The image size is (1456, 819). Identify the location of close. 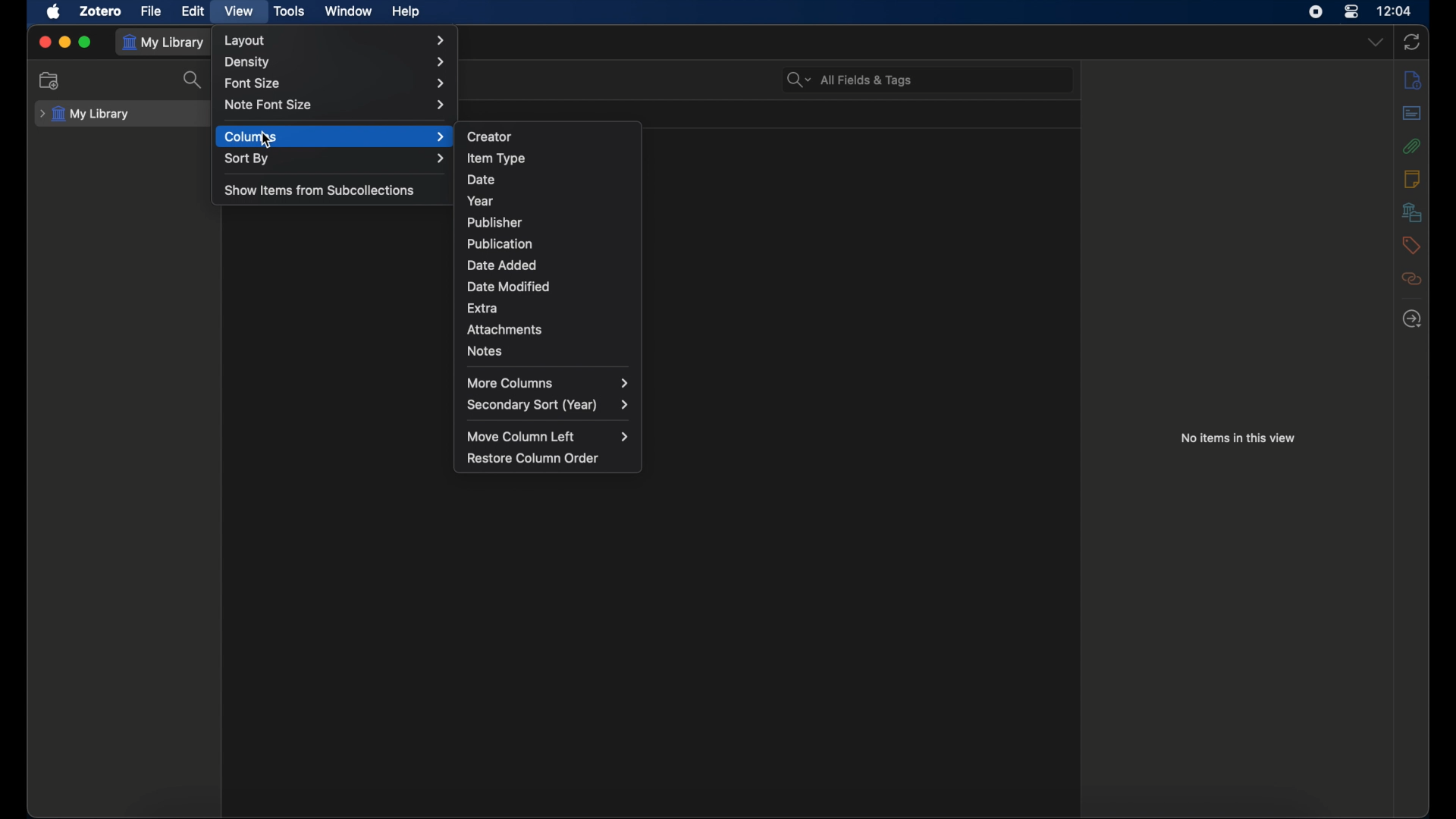
(42, 42).